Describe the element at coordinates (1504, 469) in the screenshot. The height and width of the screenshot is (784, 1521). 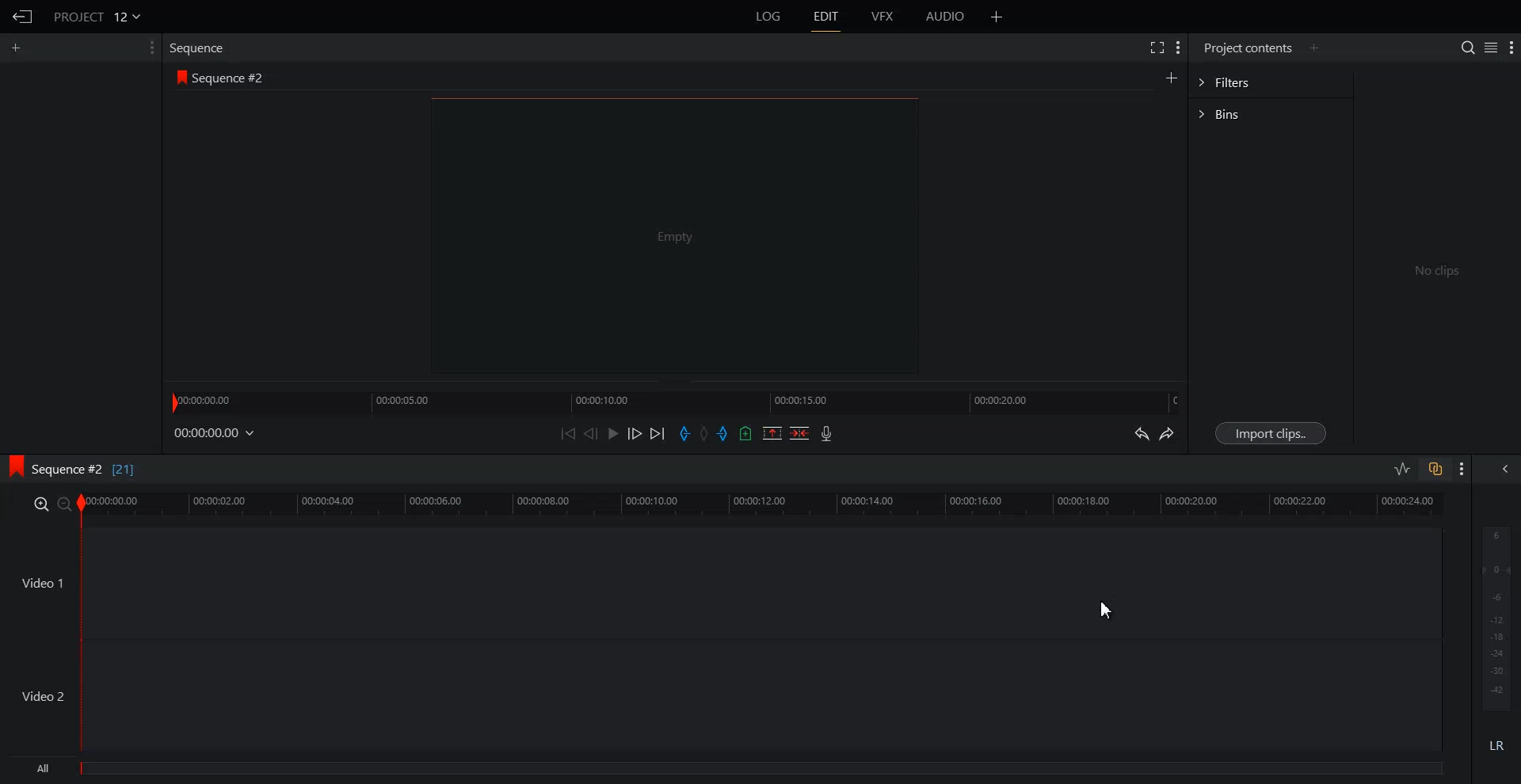
I see `Show All audio menu` at that location.